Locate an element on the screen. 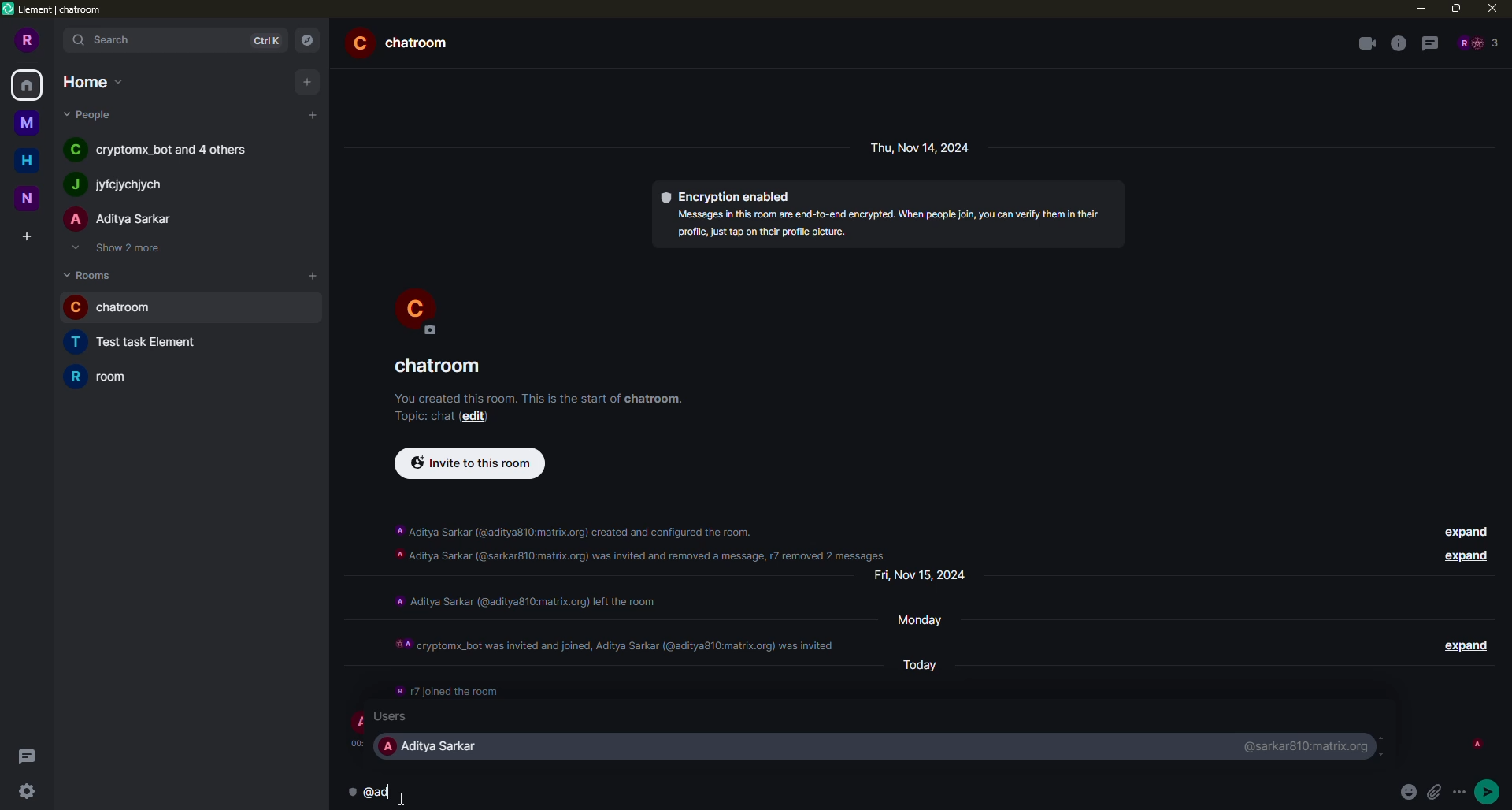  home is located at coordinates (27, 160).